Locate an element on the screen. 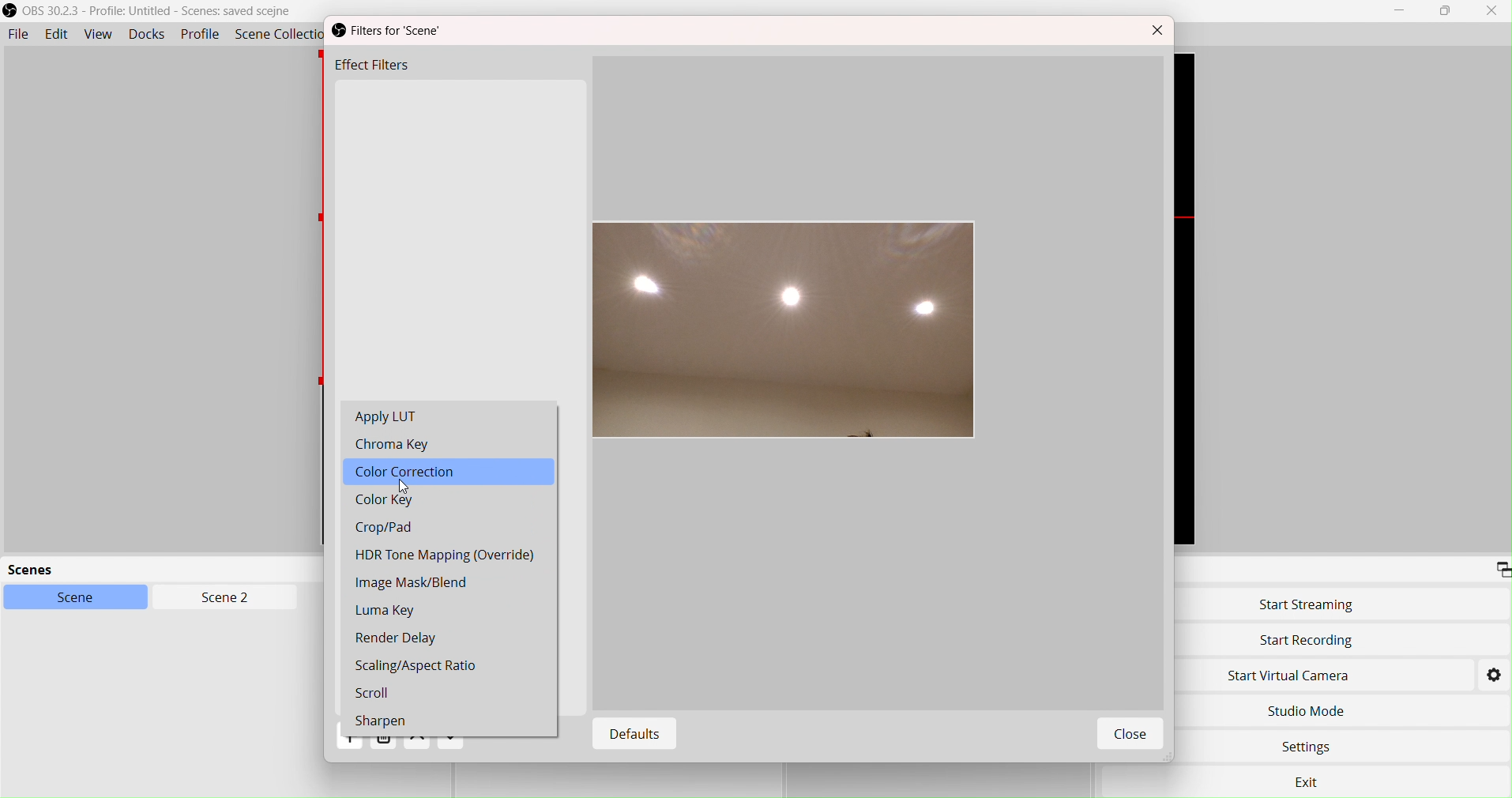  Chroma Key is located at coordinates (397, 445).